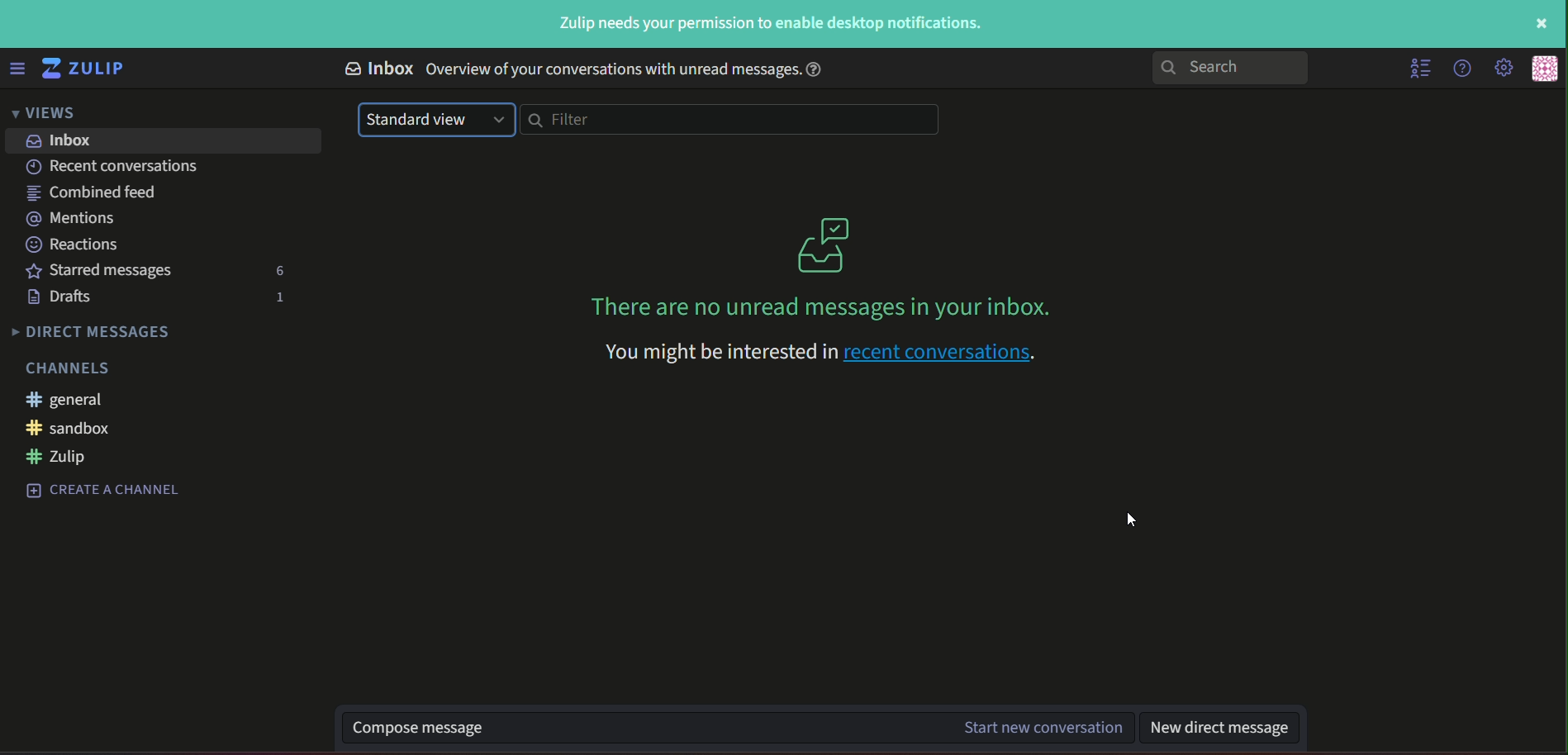  Describe the element at coordinates (738, 727) in the screenshot. I see `text box` at that location.